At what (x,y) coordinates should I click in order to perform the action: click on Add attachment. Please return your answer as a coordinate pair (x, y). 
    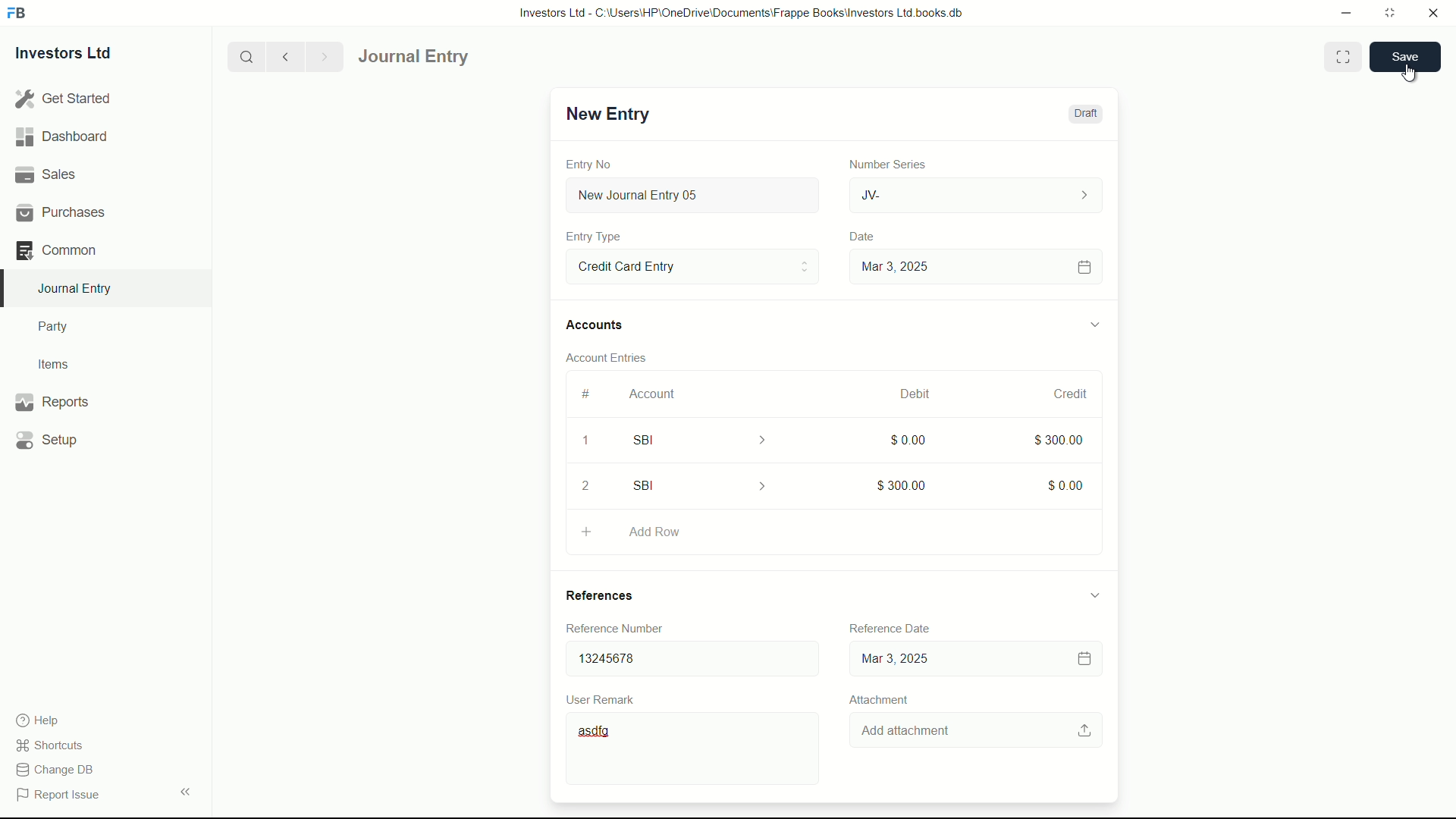
    Looking at the image, I should click on (977, 731).